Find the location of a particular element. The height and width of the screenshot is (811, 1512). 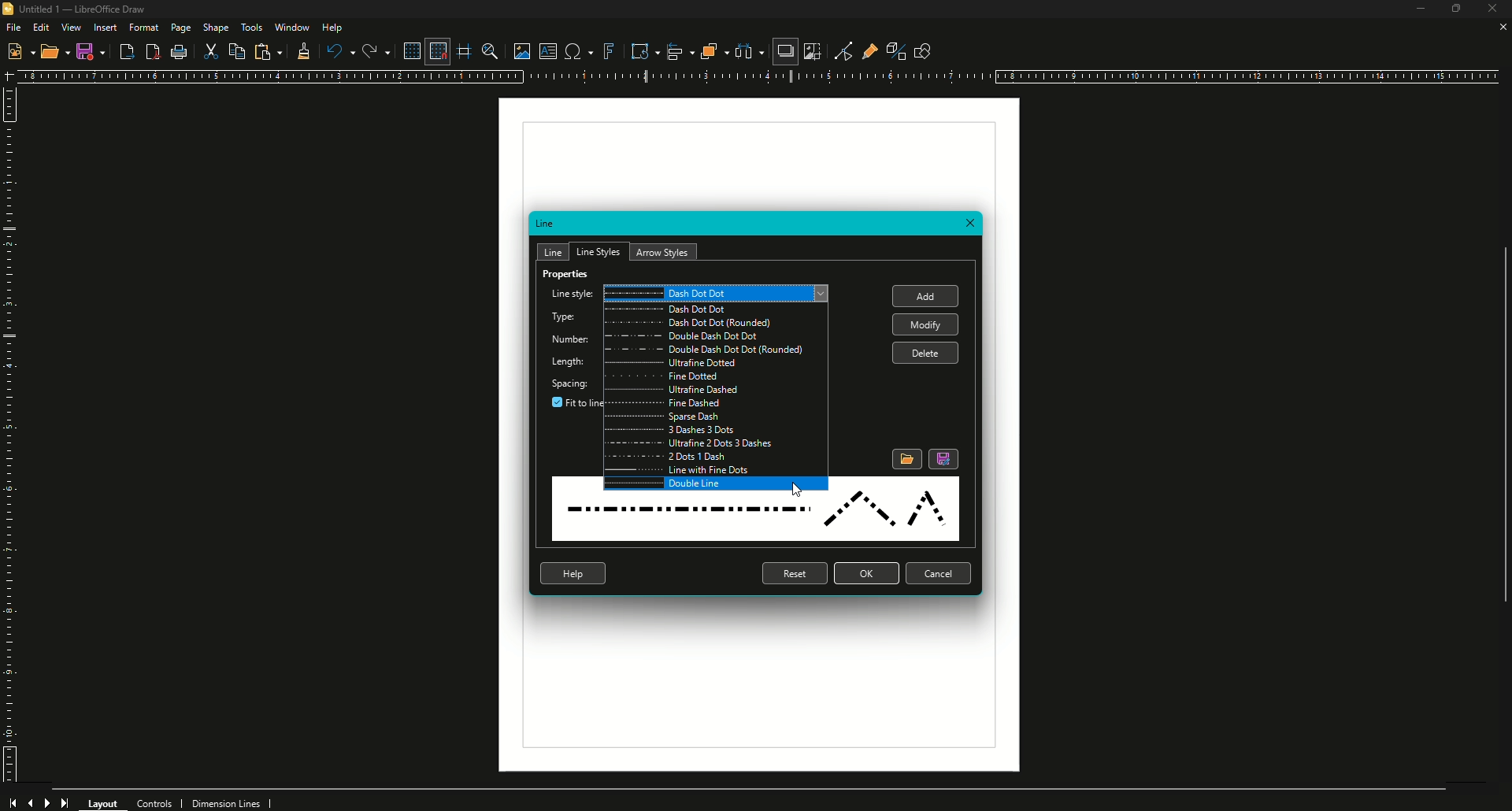

Shadow is located at coordinates (784, 53).